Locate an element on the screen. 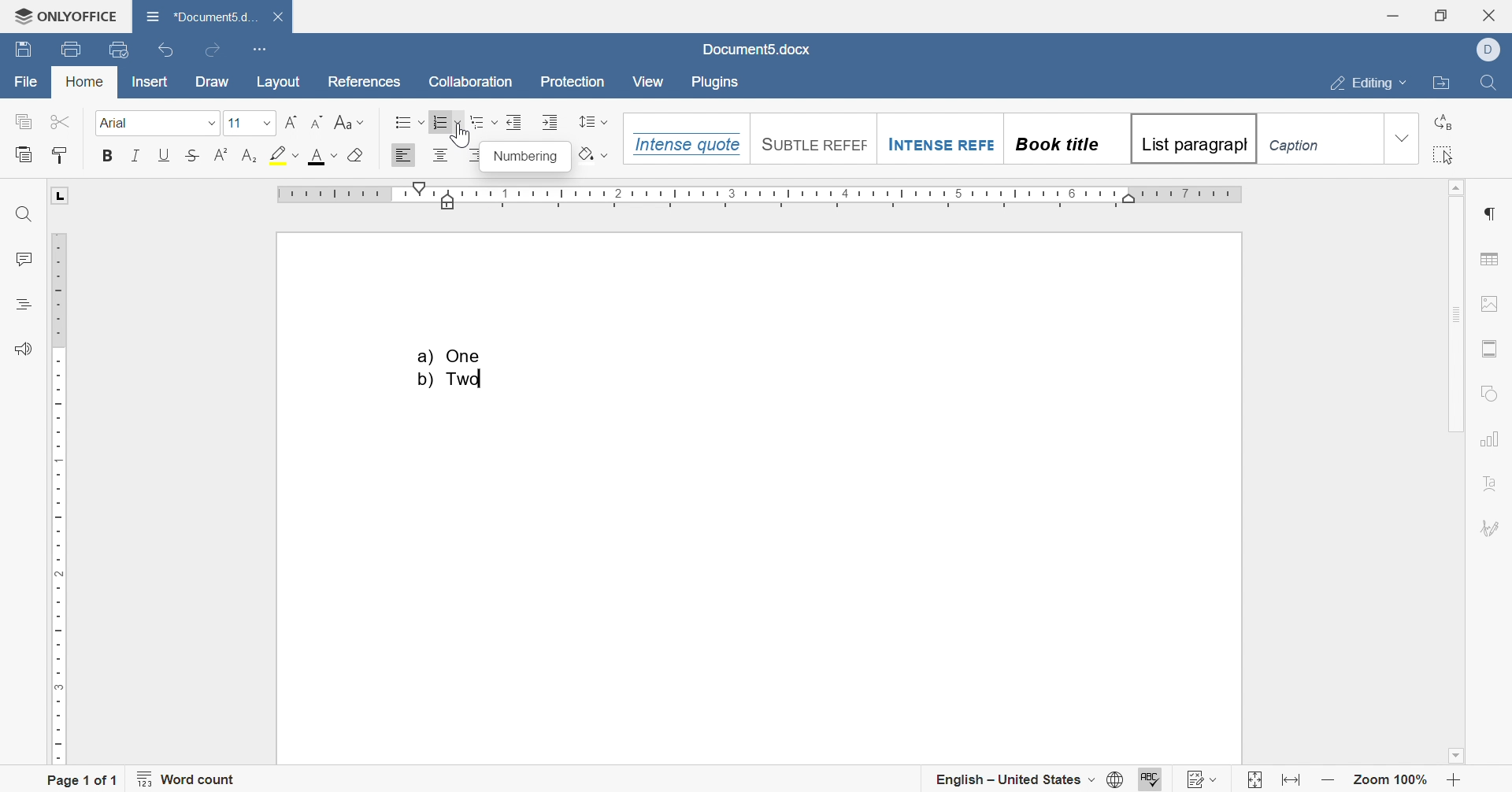 The image size is (1512, 792). view is located at coordinates (650, 84).